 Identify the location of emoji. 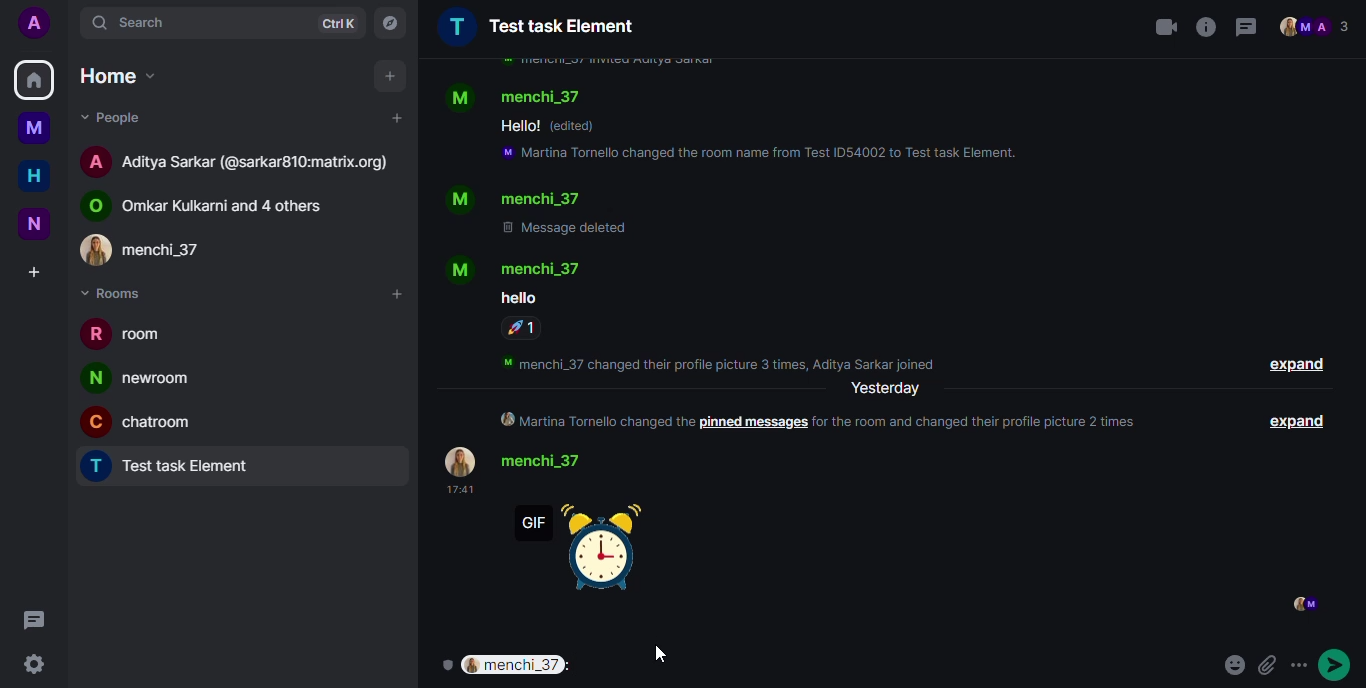
(1229, 662).